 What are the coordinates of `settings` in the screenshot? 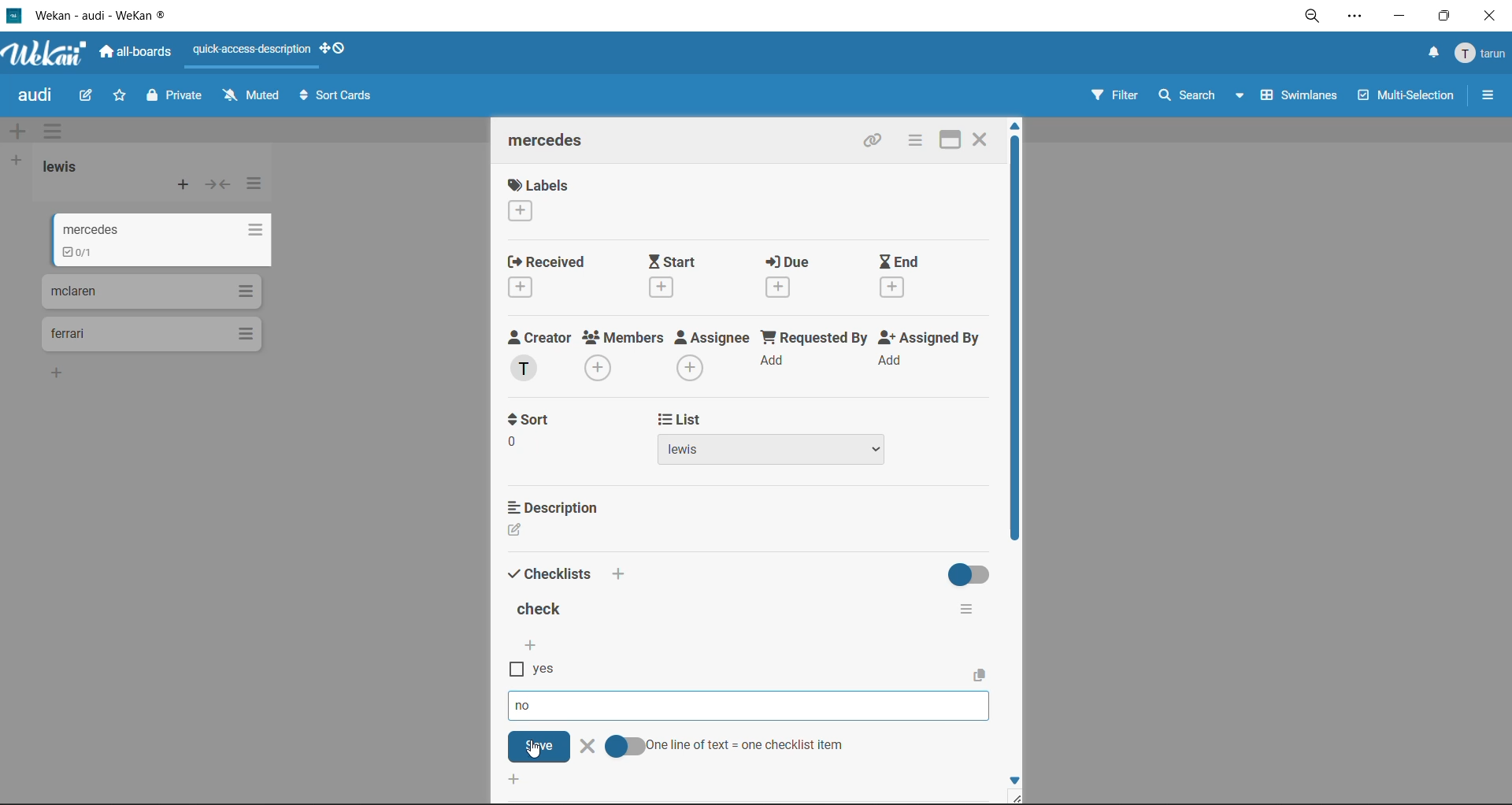 It's located at (1358, 19).